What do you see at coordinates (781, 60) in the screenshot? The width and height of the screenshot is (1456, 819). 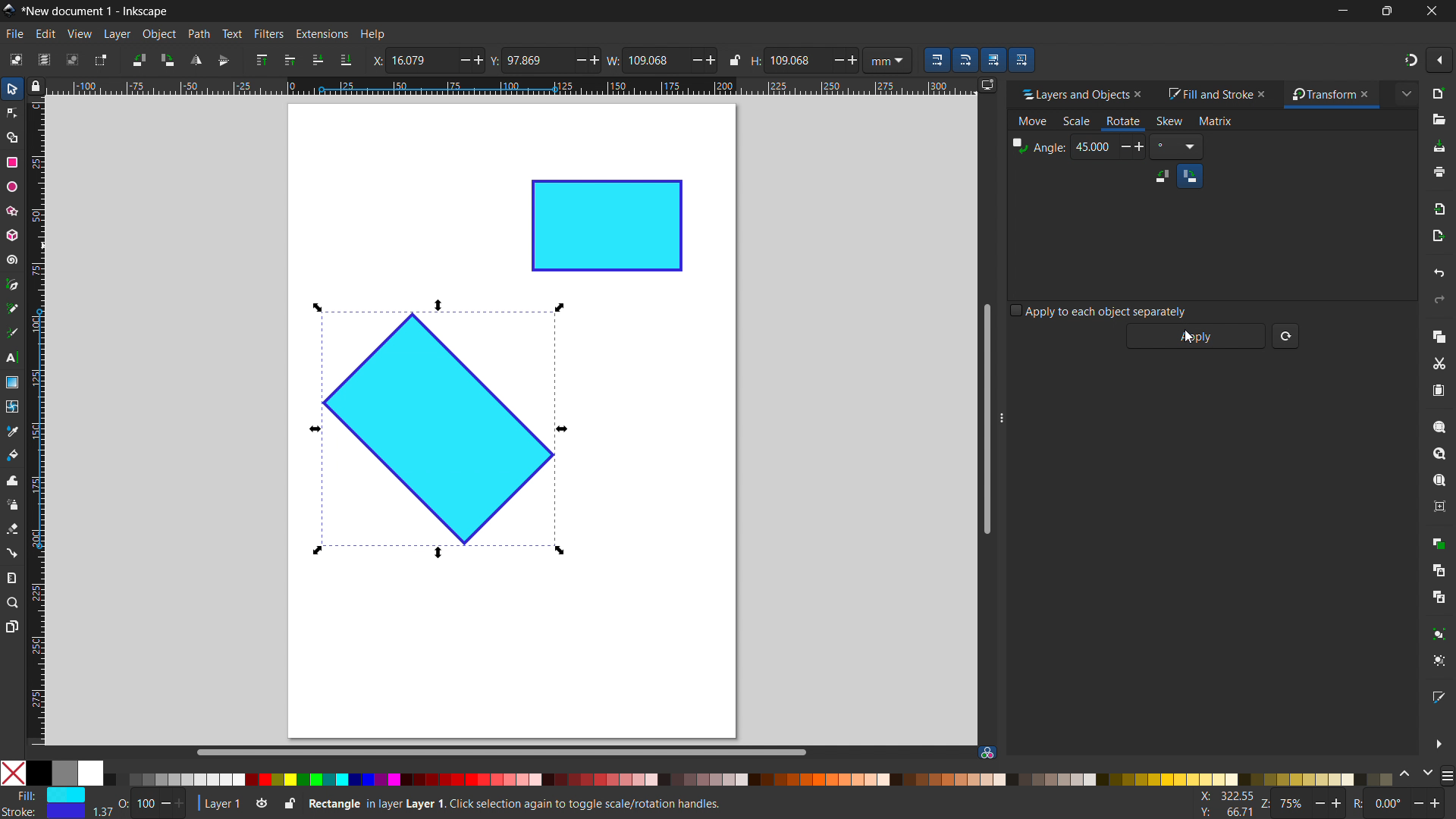 I see `H: 59.913` at bounding box center [781, 60].